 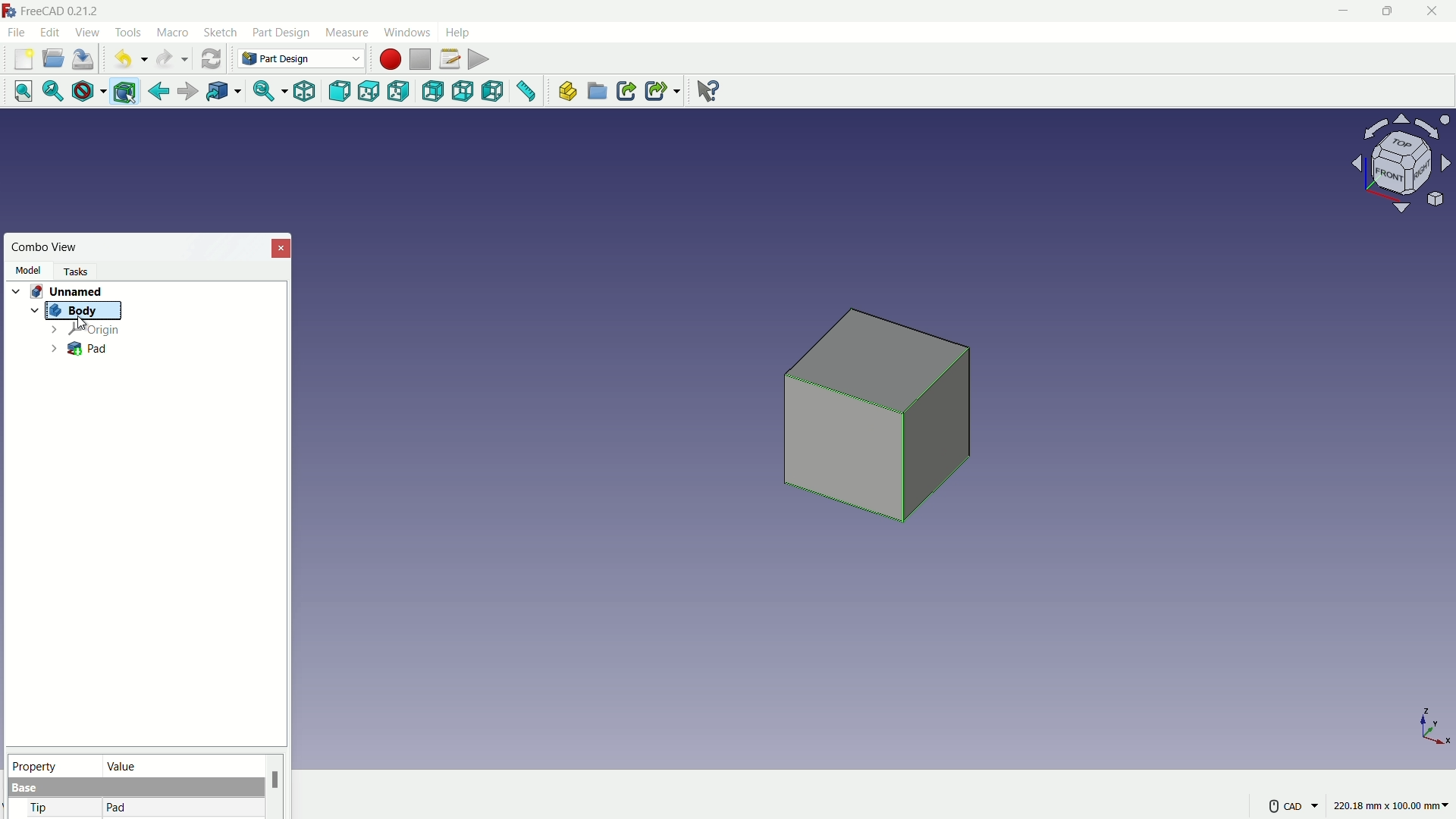 What do you see at coordinates (211, 58) in the screenshot?
I see `refresh` at bounding box center [211, 58].